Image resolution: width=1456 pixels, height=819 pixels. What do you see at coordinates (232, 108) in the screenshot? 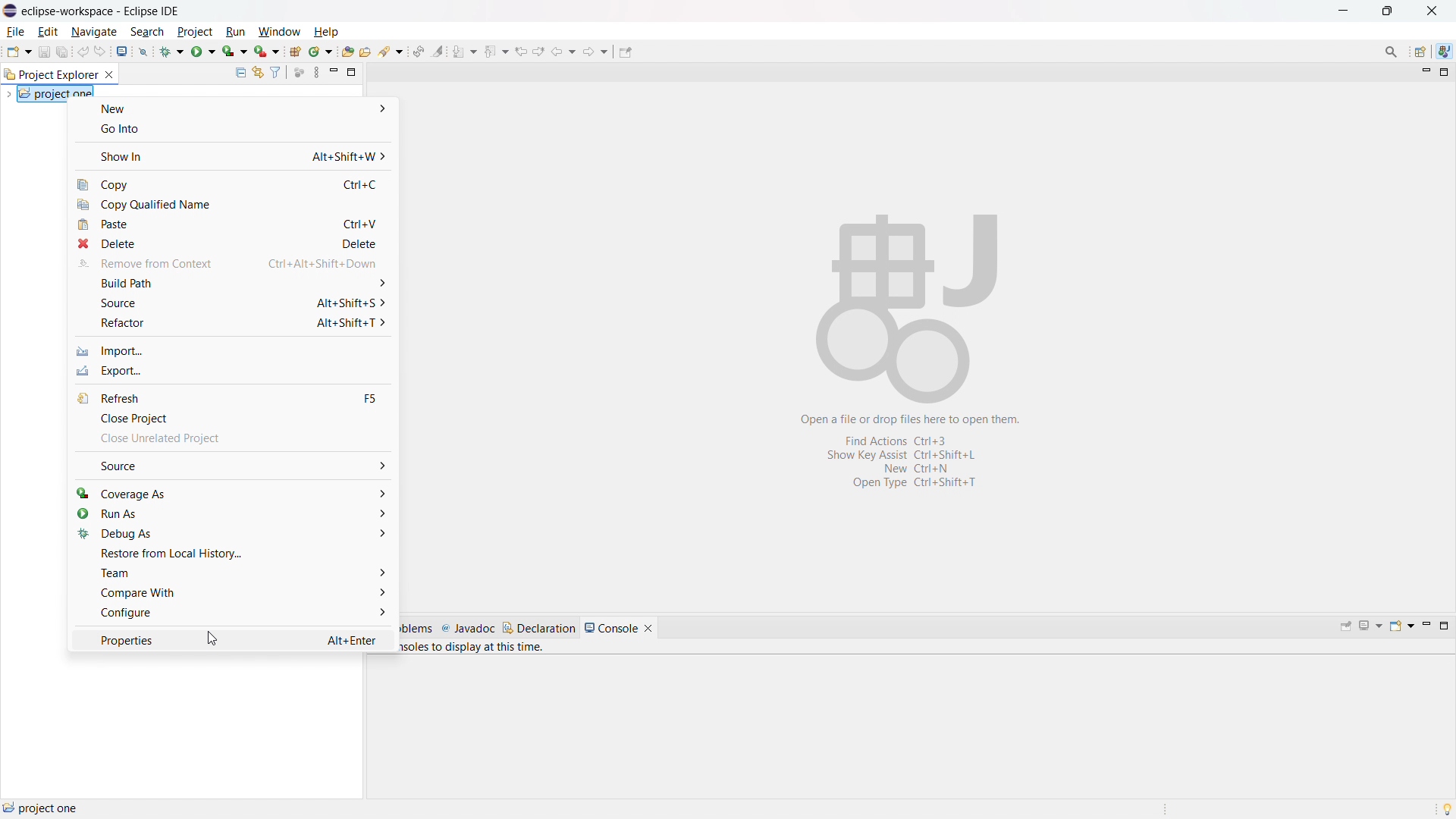
I see `new` at bounding box center [232, 108].